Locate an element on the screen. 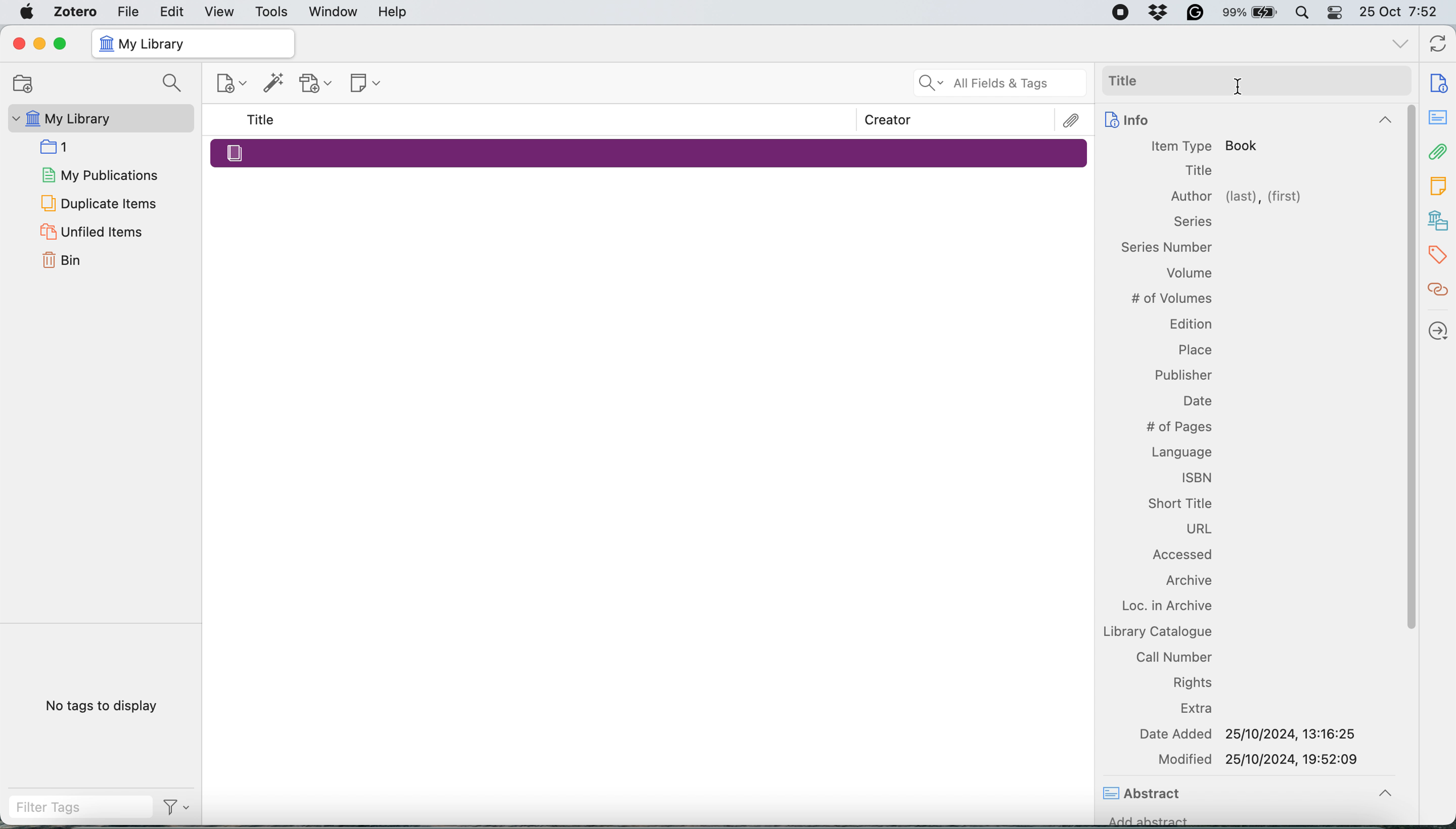 The height and width of the screenshot is (829, 1456). Scroll Bar is located at coordinates (1409, 436).